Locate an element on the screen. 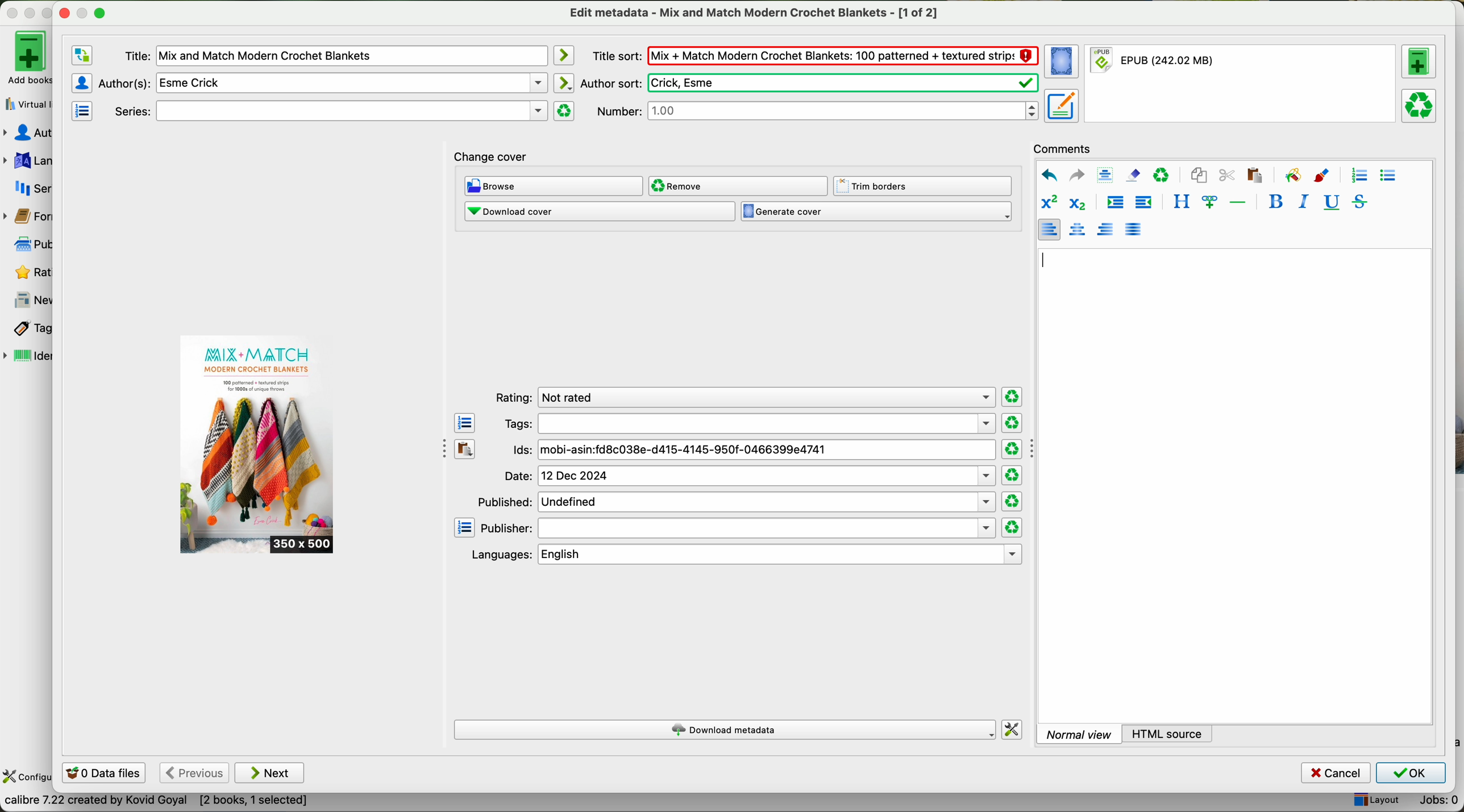 The width and height of the screenshot is (1464, 812). configure is located at coordinates (27, 777).